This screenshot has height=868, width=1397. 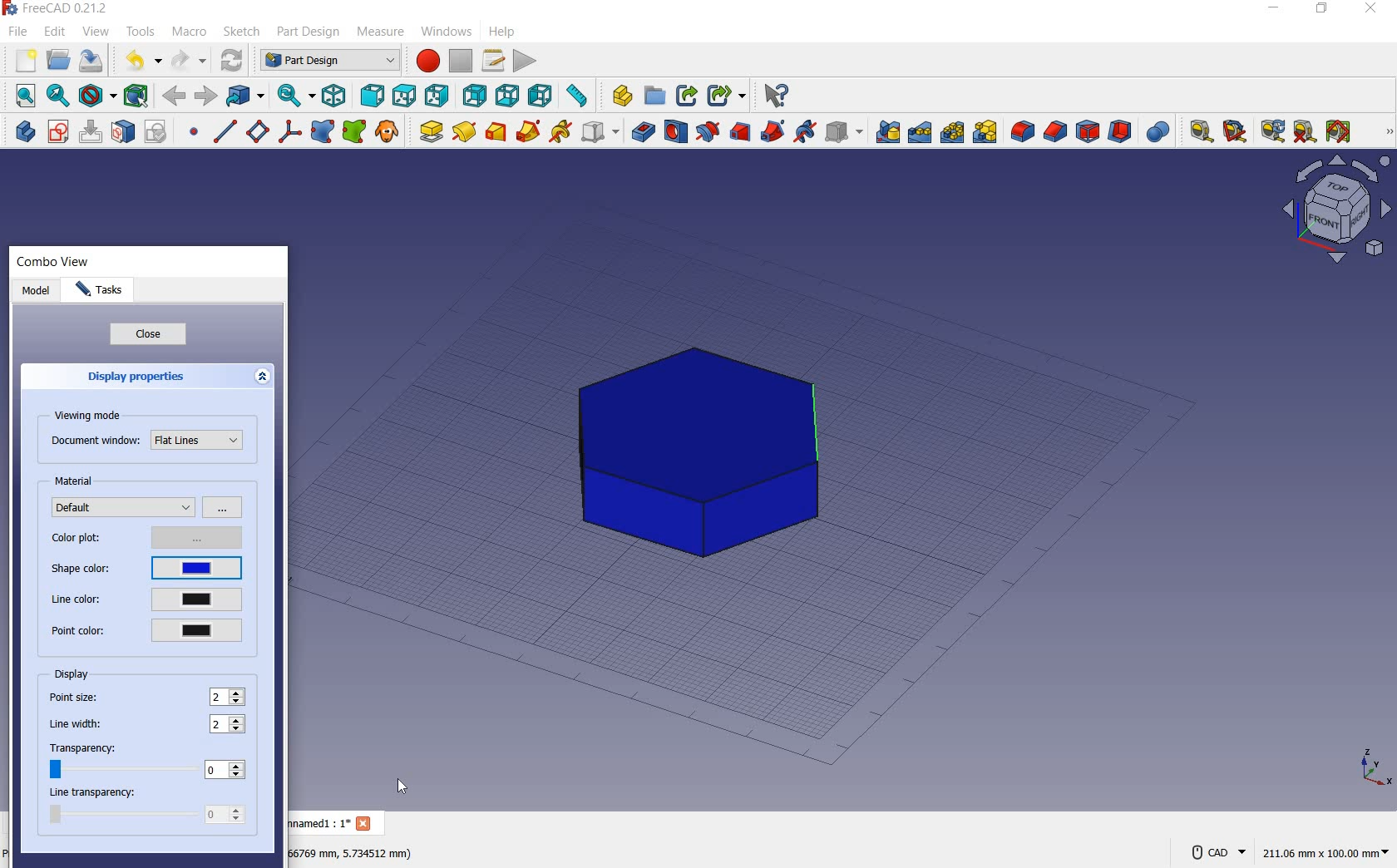 What do you see at coordinates (141, 62) in the screenshot?
I see `udo` at bounding box center [141, 62].